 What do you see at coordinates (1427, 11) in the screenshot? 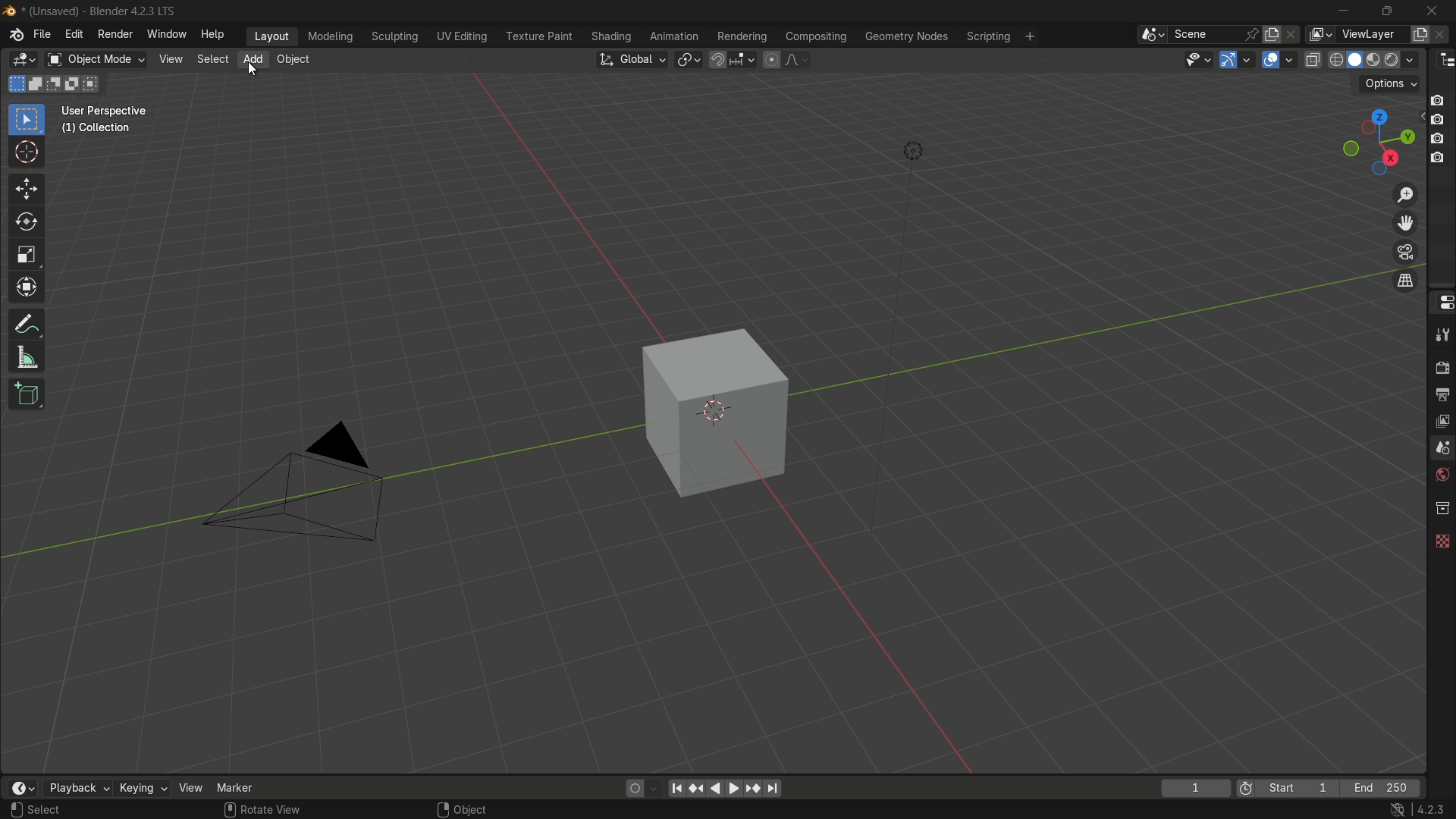
I see `close app` at bounding box center [1427, 11].